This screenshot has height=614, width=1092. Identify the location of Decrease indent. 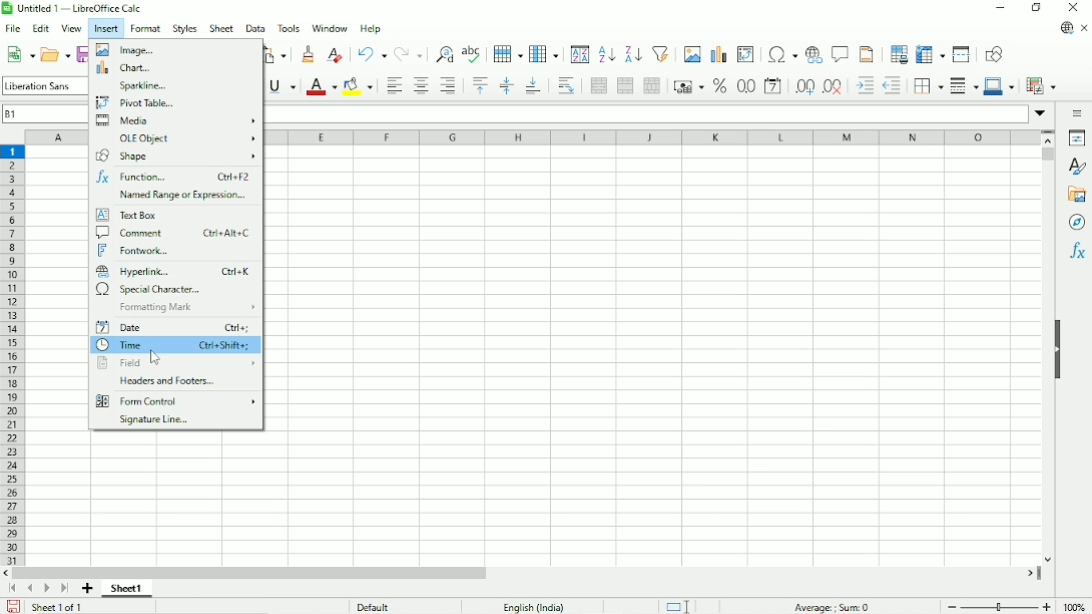
(893, 85).